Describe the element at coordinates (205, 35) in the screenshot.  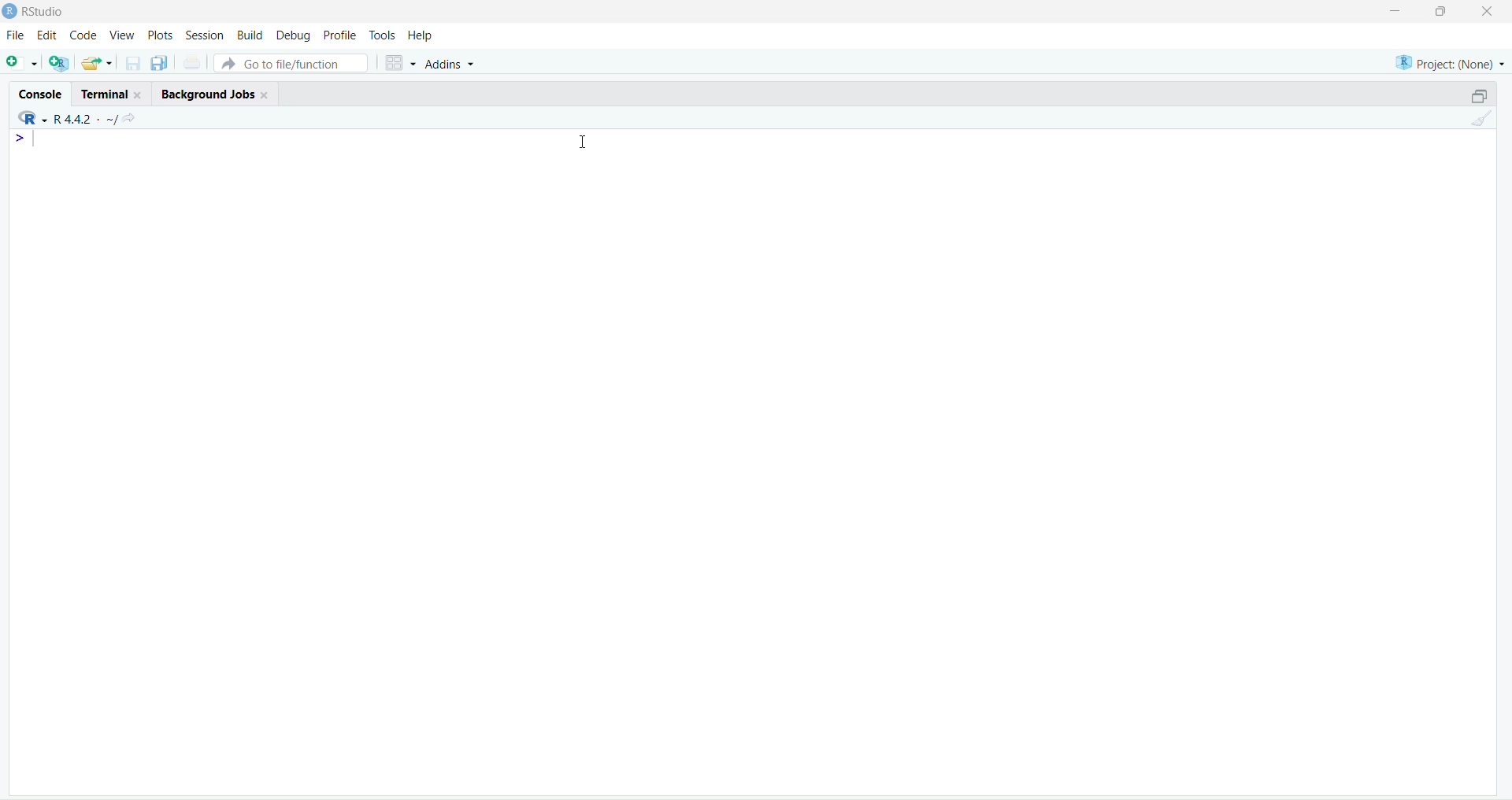
I see `Session` at that location.